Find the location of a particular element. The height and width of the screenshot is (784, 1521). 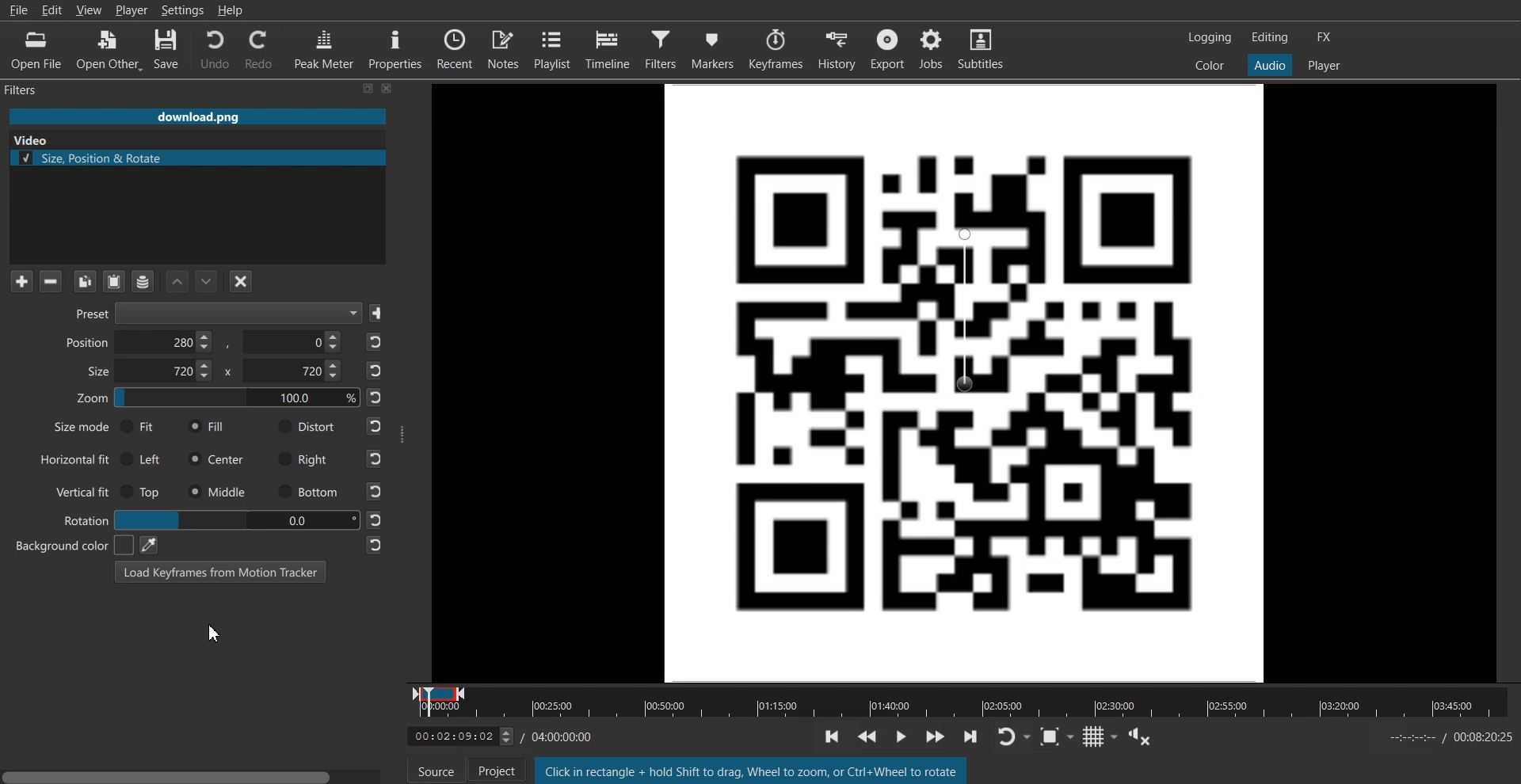

Text 1 is located at coordinates (29, 90).